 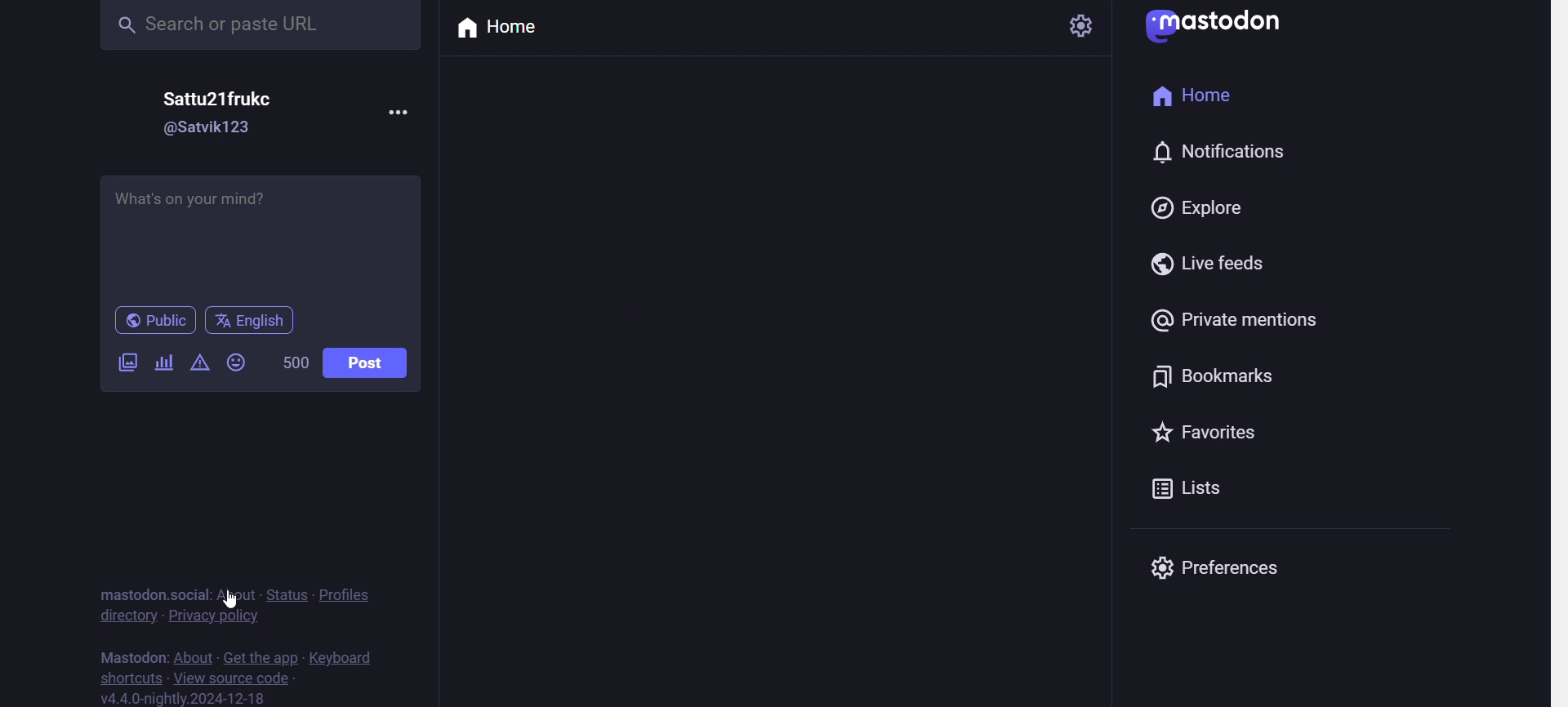 I want to click on english, so click(x=250, y=320).